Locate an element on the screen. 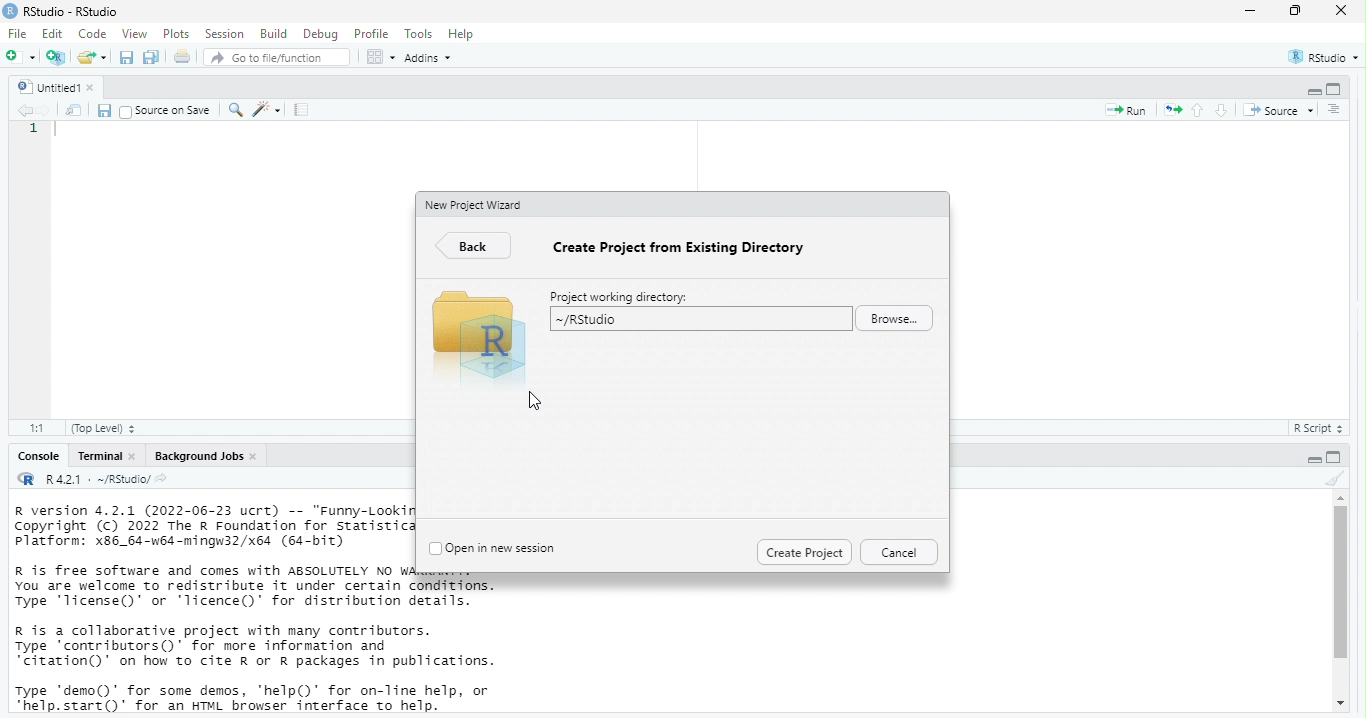 This screenshot has height=718, width=1366. session is located at coordinates (224, 34).